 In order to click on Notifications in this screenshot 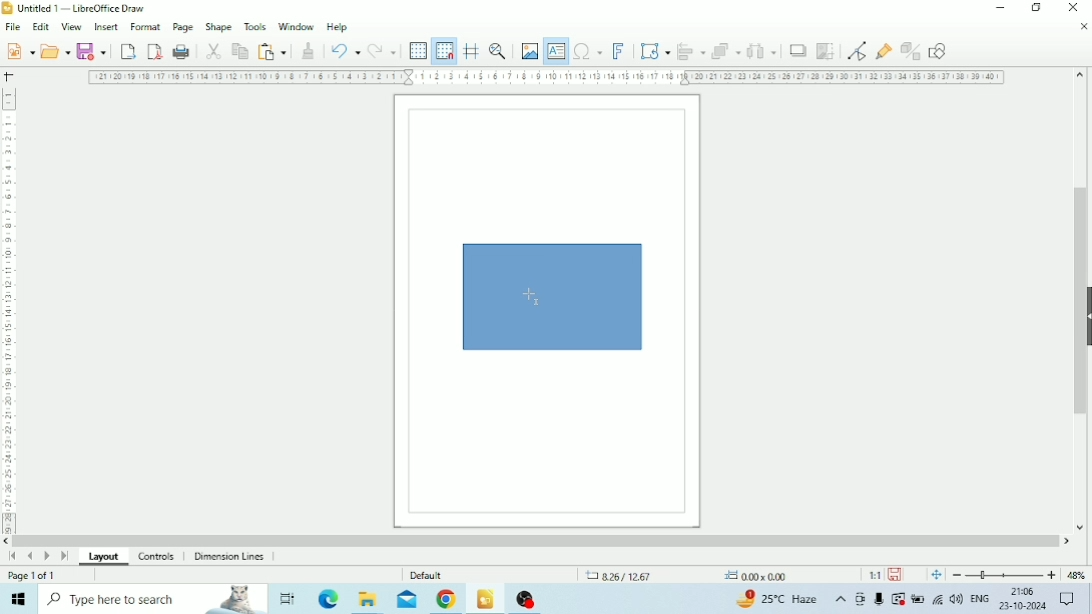, I will do `click(1068, 600)`.